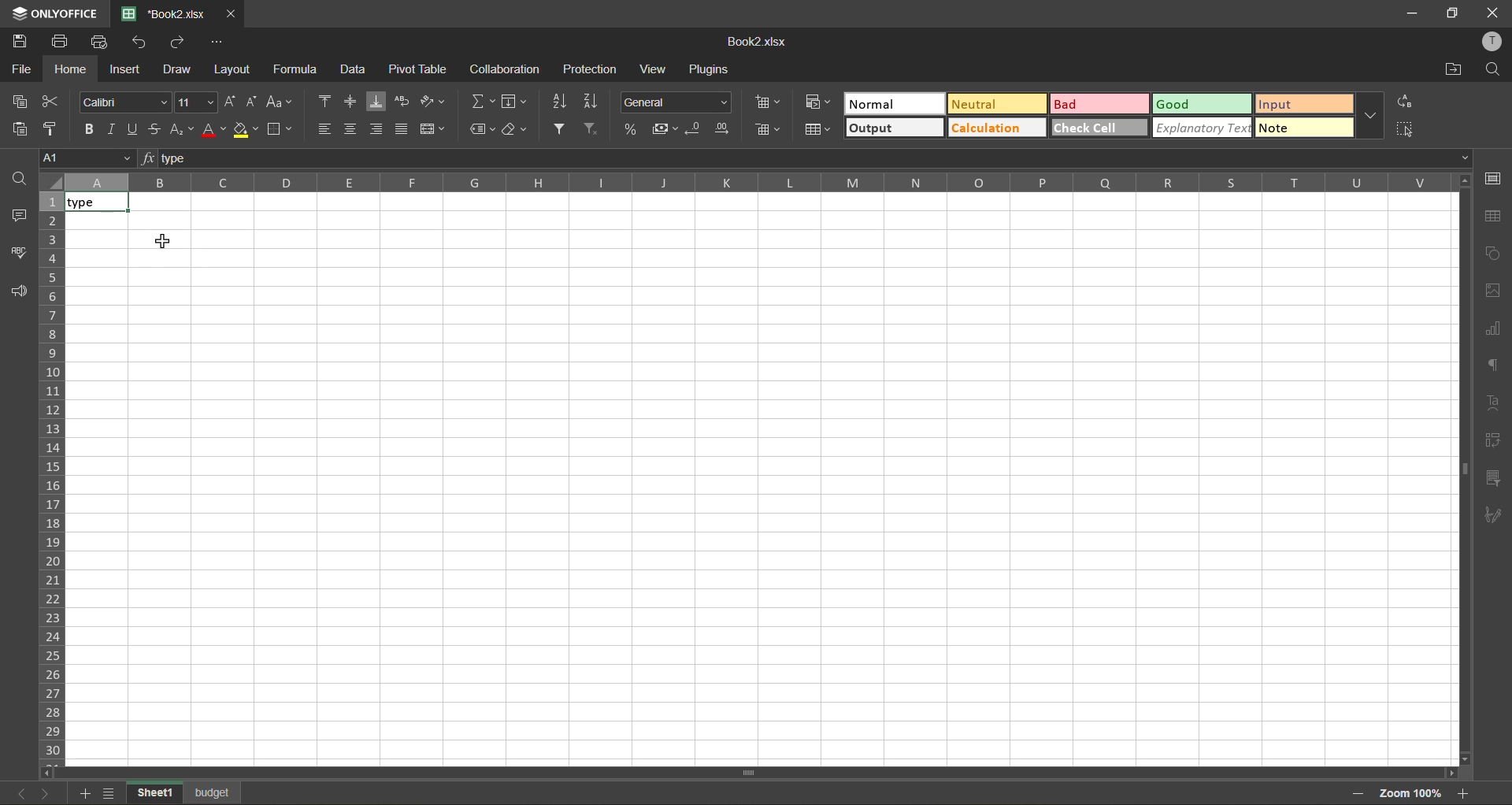  I want to click on merge and center, so click(433, 128).